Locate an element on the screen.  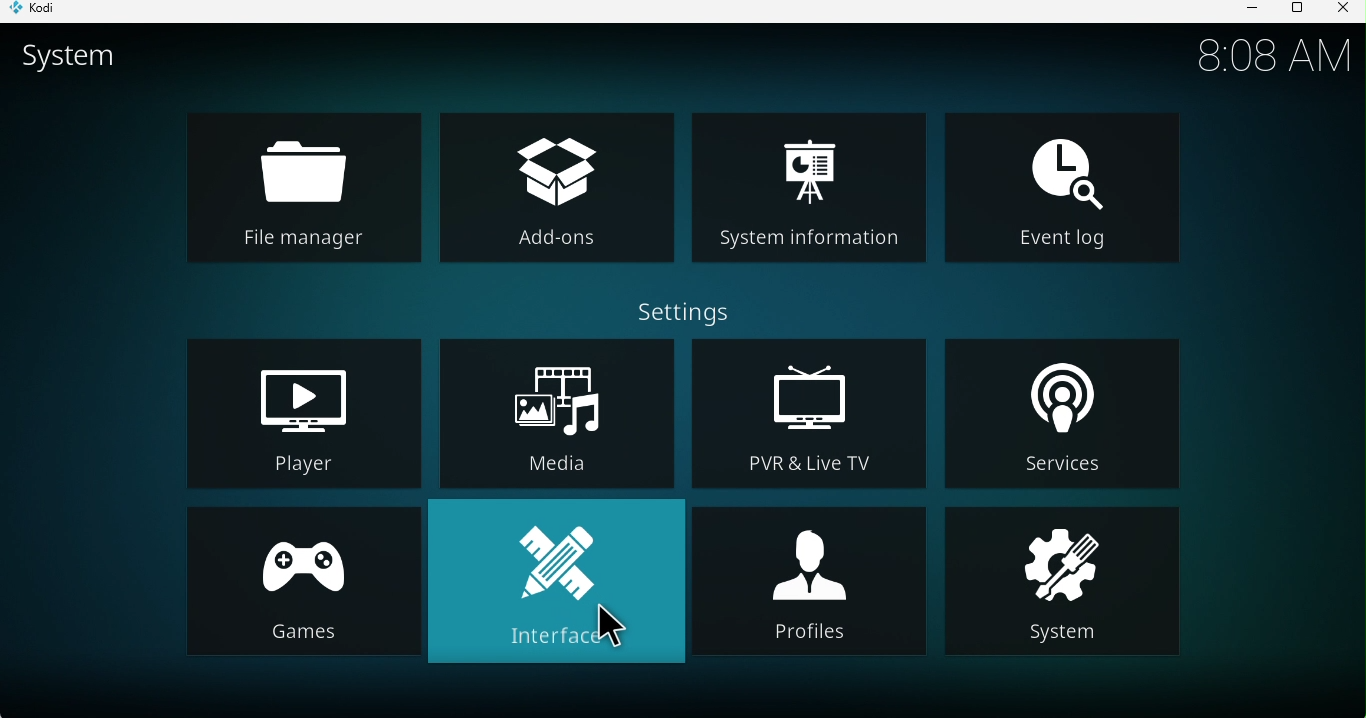
System is located at coordinates (1062, 579).